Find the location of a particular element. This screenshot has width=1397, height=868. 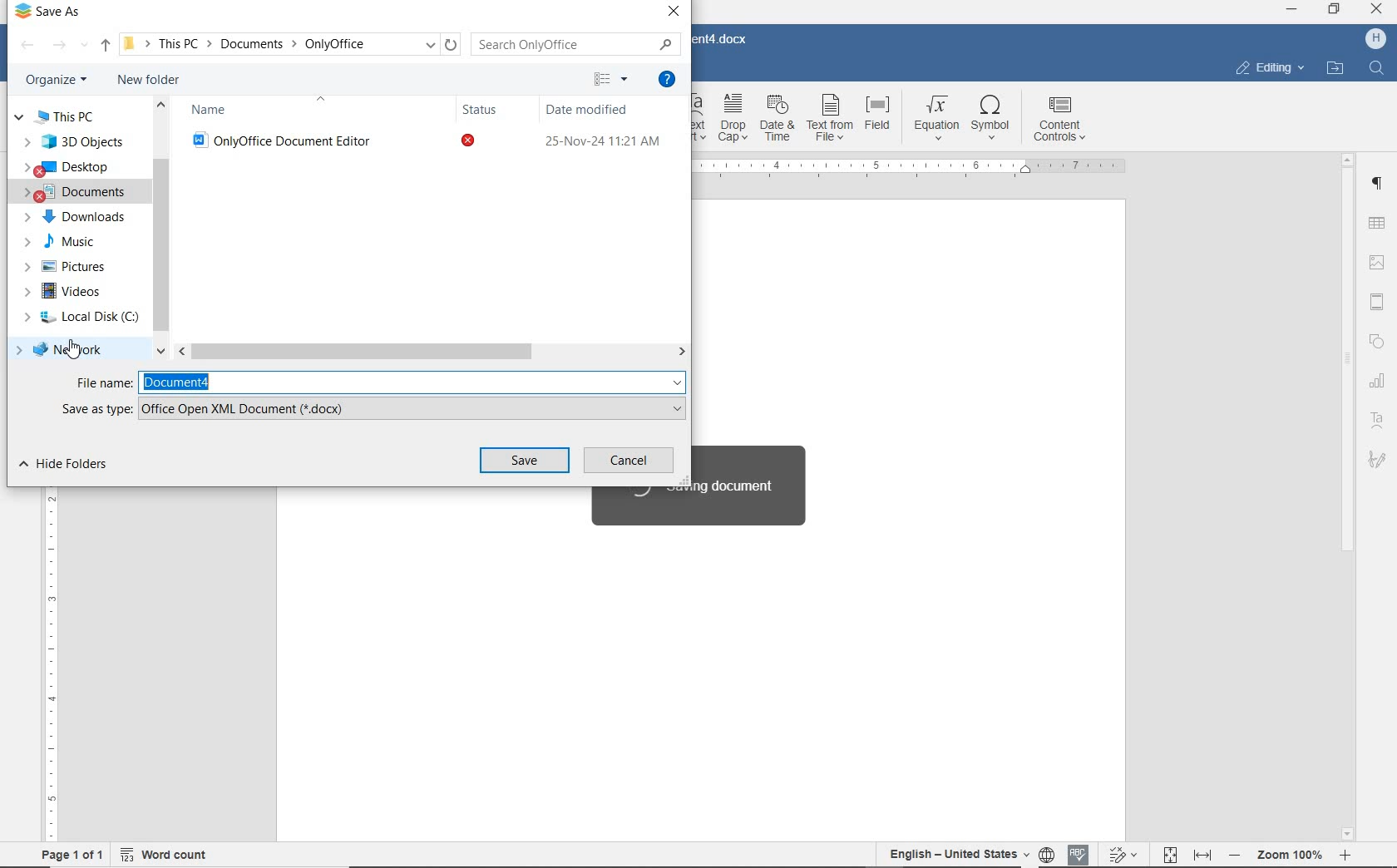

editing is located at coordinates (1271, 67).